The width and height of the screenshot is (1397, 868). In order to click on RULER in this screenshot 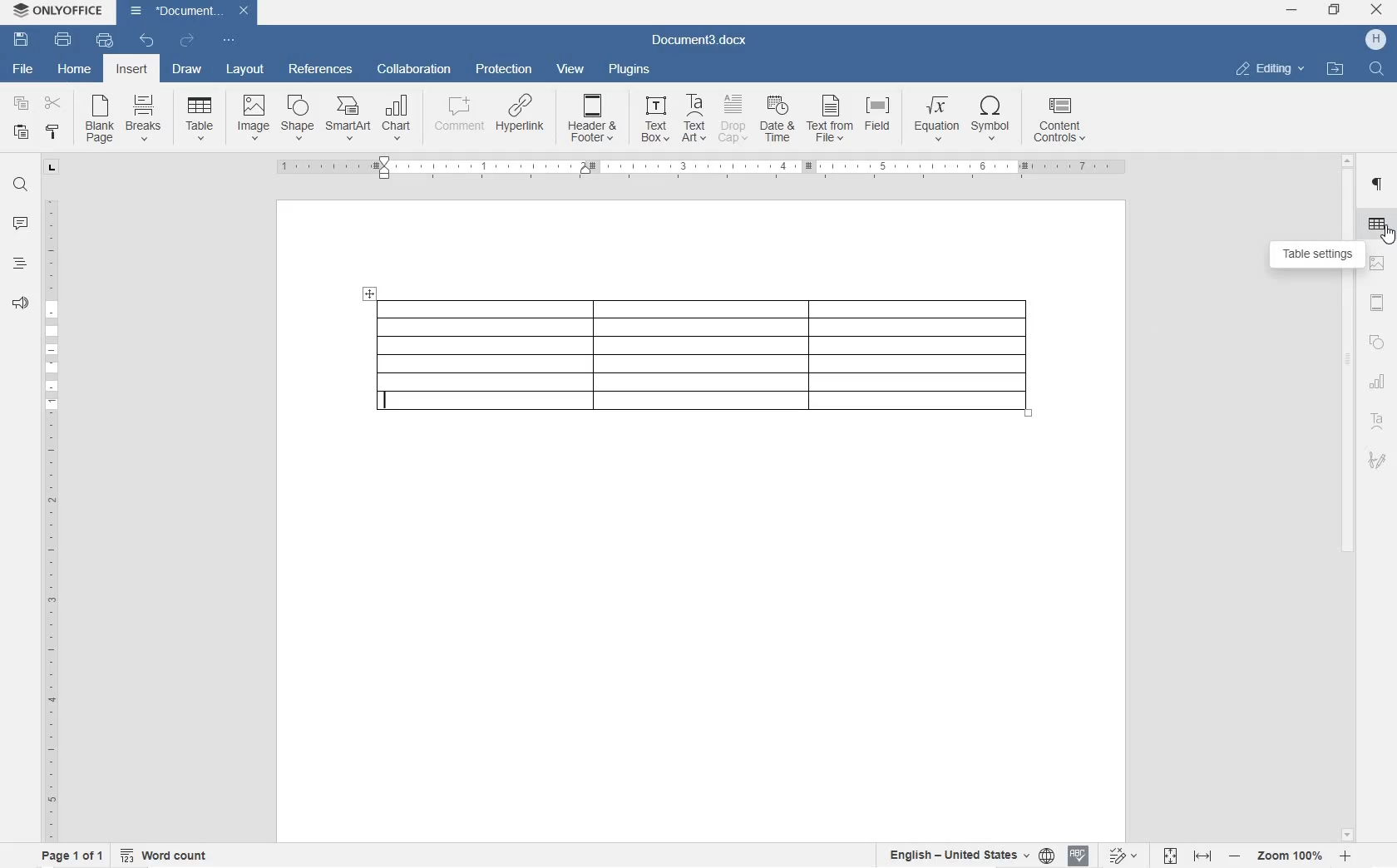, I will do `click(49, 518)`.